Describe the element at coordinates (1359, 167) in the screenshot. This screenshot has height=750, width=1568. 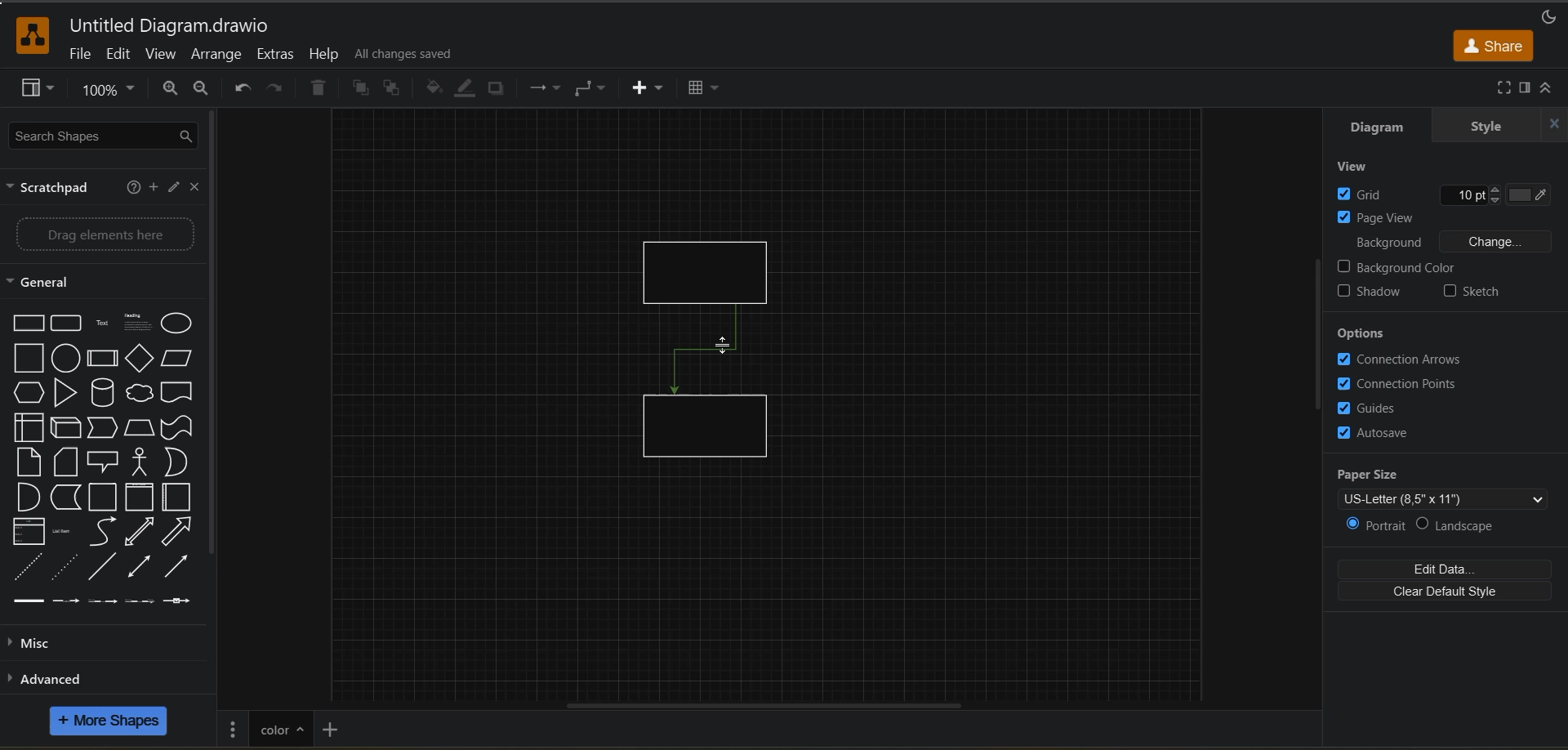
I see `view` at that location.